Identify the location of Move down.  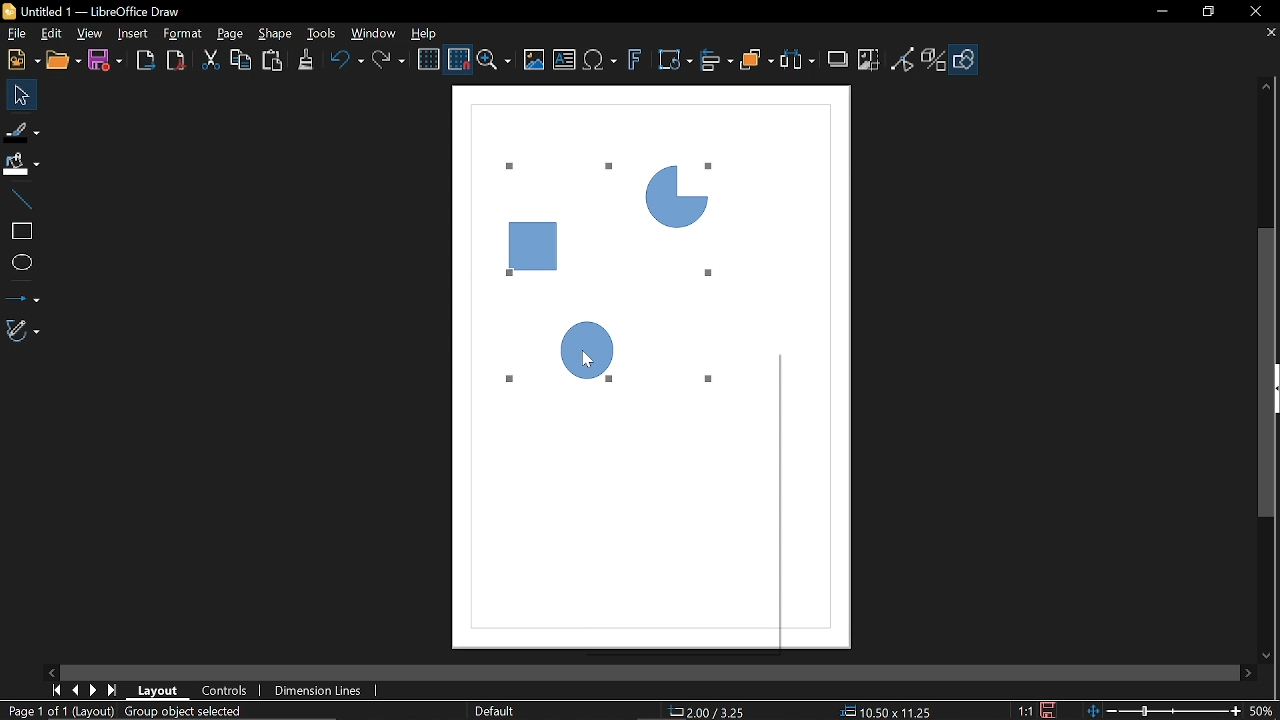
(1266, 658).